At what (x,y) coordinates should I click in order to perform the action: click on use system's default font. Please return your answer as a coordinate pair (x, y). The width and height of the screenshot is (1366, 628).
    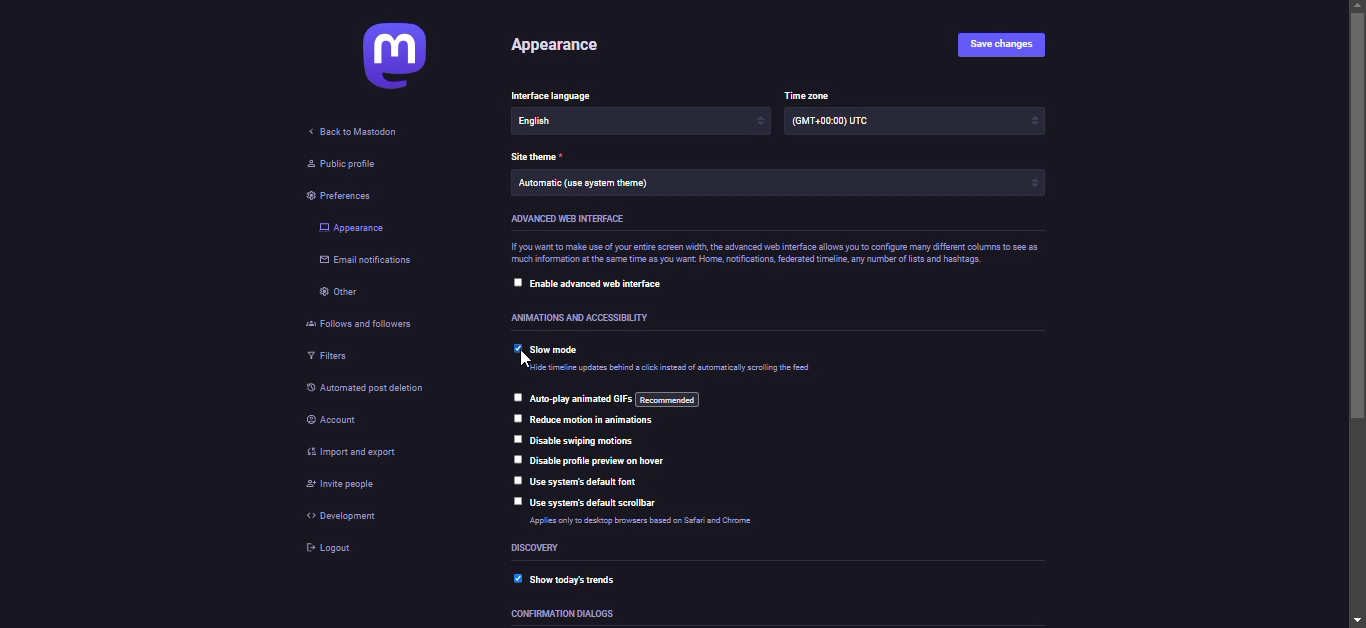
    Looking at the image, I should click on (585, 483).